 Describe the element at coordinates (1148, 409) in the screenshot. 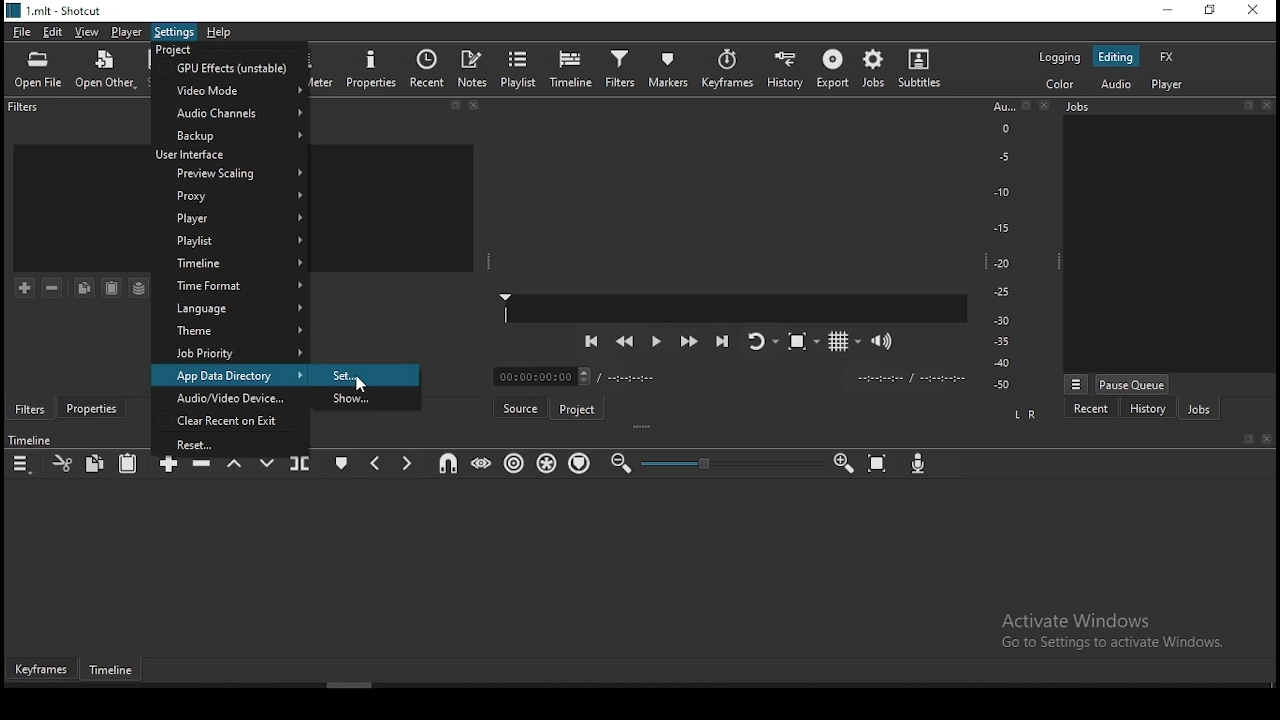

I see `history` at that location.